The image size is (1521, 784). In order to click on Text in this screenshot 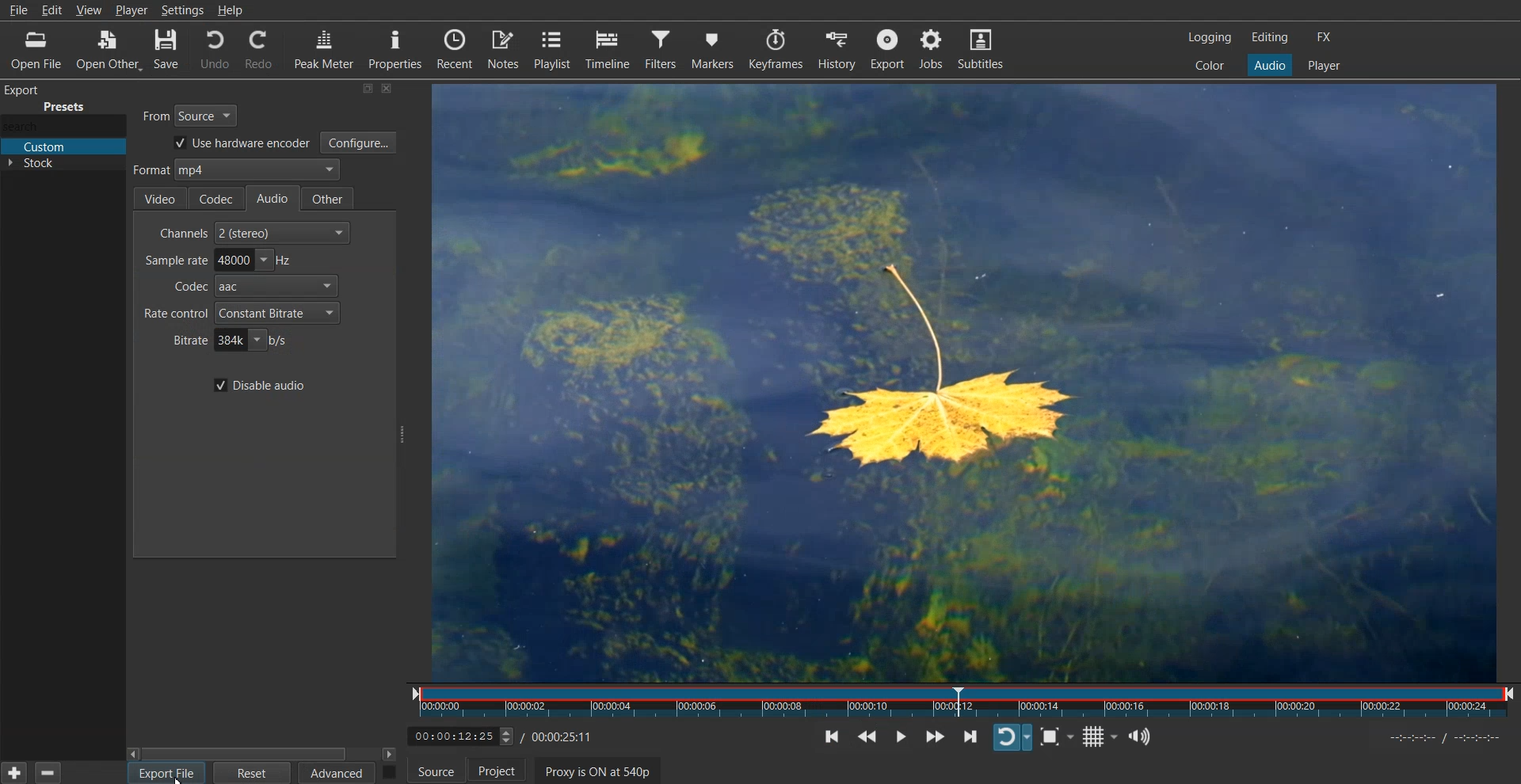, I will do `click(53, 99)`.